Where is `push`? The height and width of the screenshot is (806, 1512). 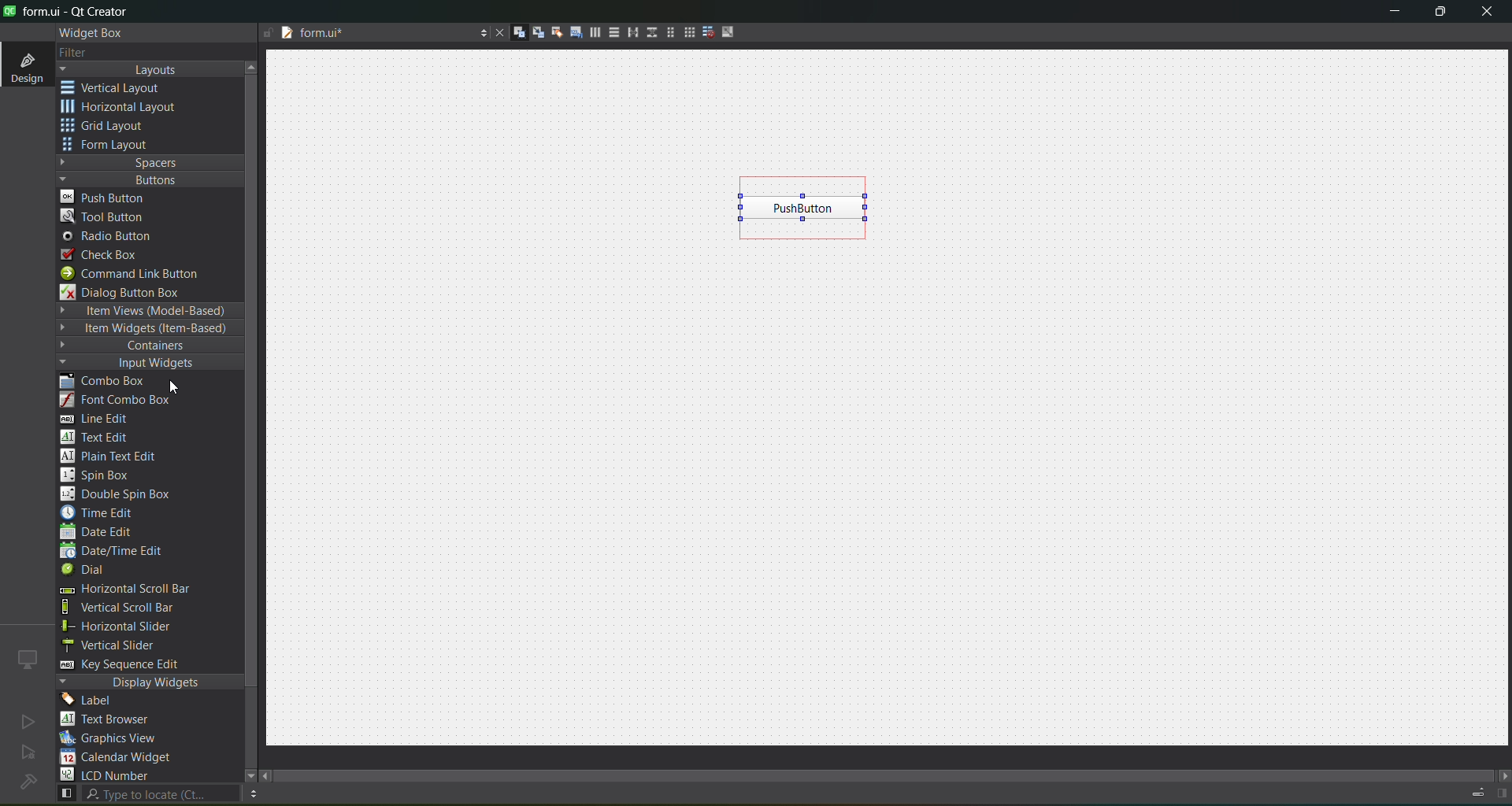 push is located at coordinates (105, 196).